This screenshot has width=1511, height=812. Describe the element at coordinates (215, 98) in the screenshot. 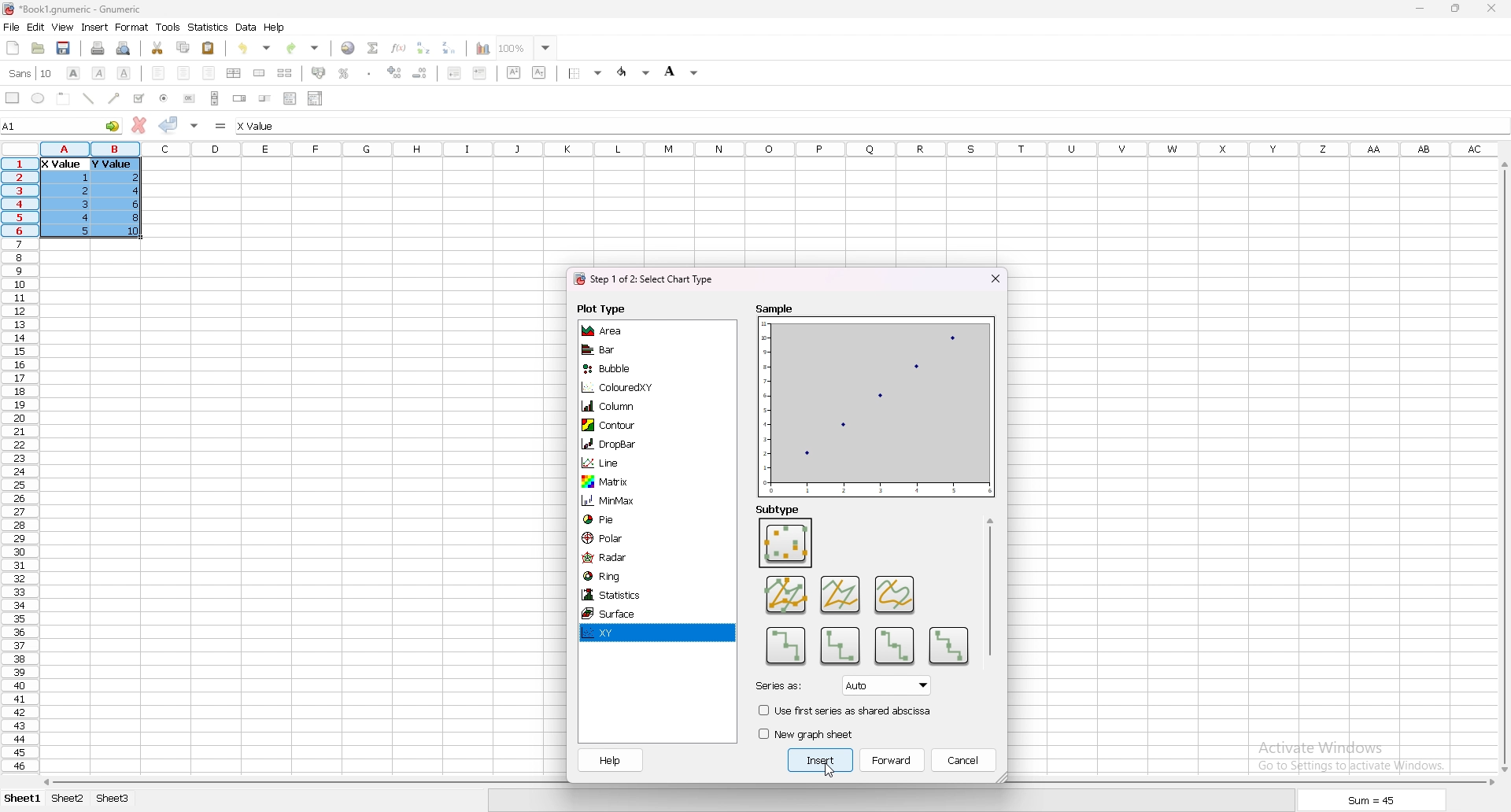

I see `scroll bar` at that location.